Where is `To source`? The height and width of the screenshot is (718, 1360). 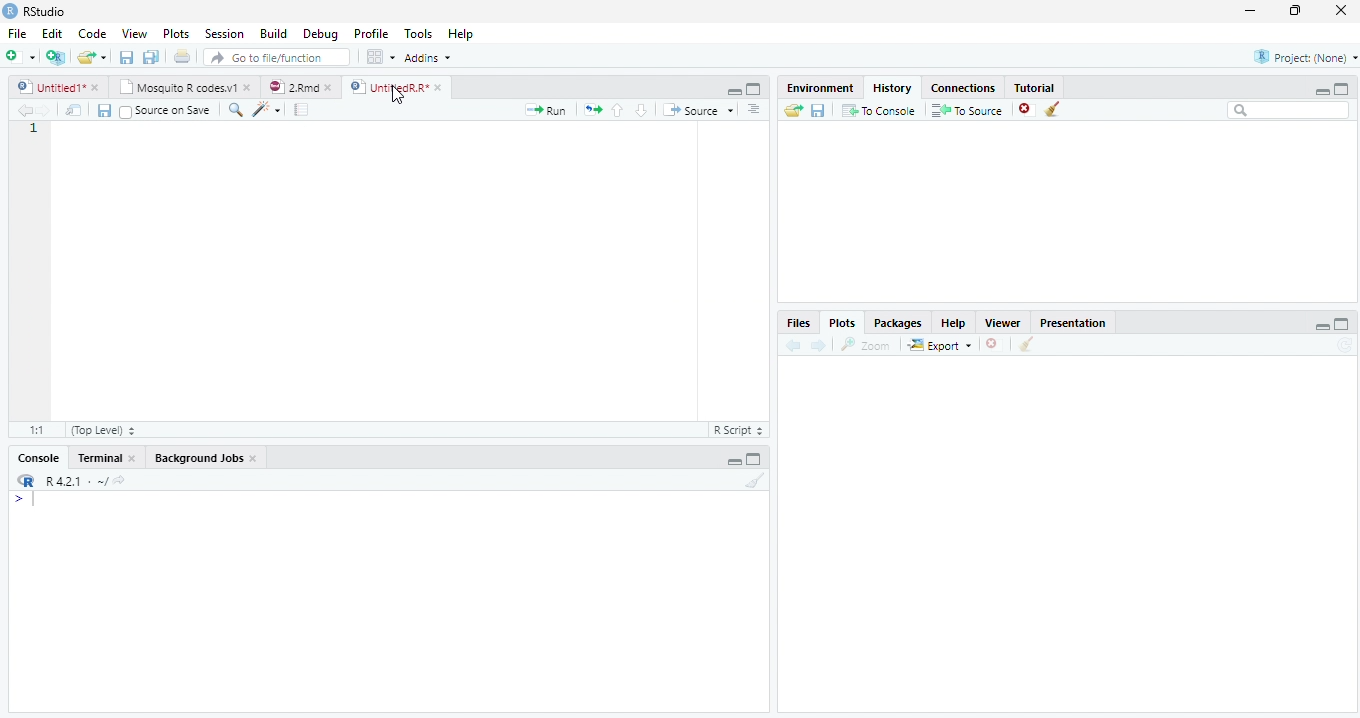
To source is located at coordinates (969, 110).